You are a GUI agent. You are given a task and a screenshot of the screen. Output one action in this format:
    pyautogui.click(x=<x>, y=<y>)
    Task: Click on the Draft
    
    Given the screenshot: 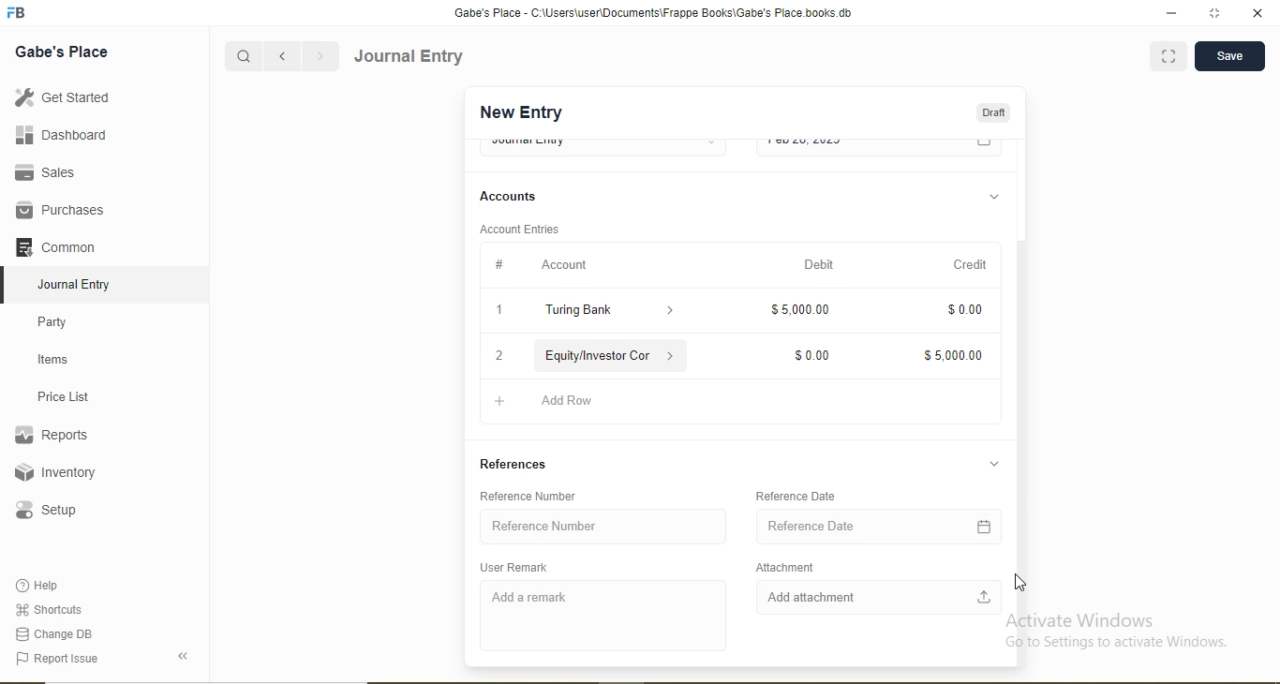 What is the action you would take?
    pyautogui.click(x=993, y=114)
    